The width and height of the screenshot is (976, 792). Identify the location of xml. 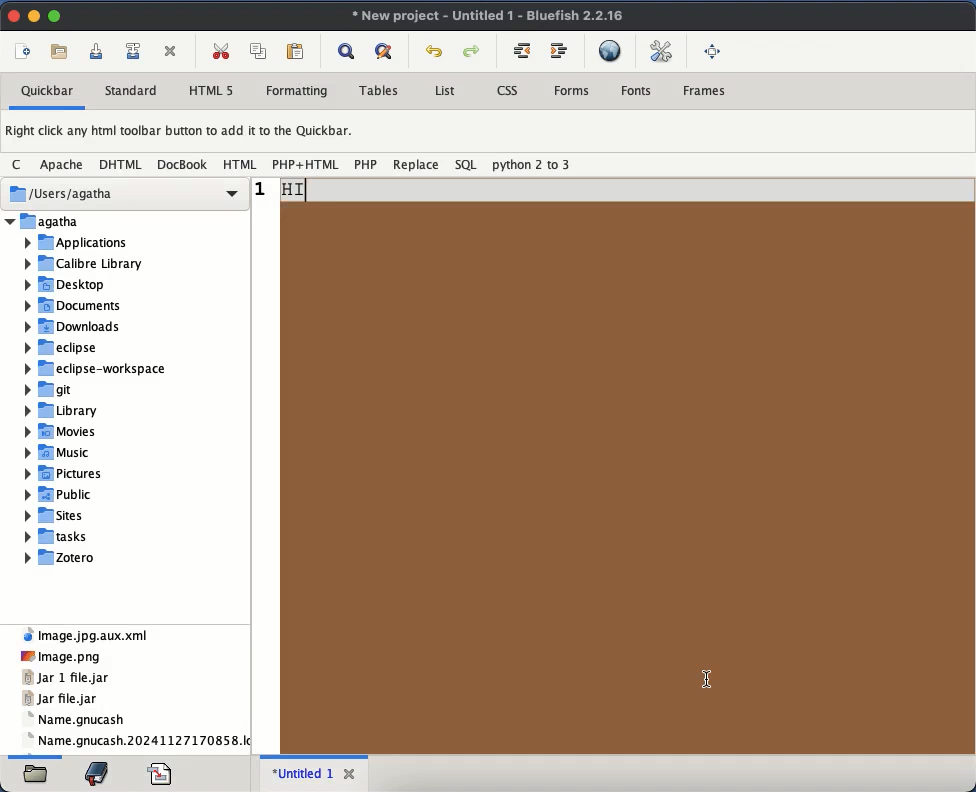
(89, 633).